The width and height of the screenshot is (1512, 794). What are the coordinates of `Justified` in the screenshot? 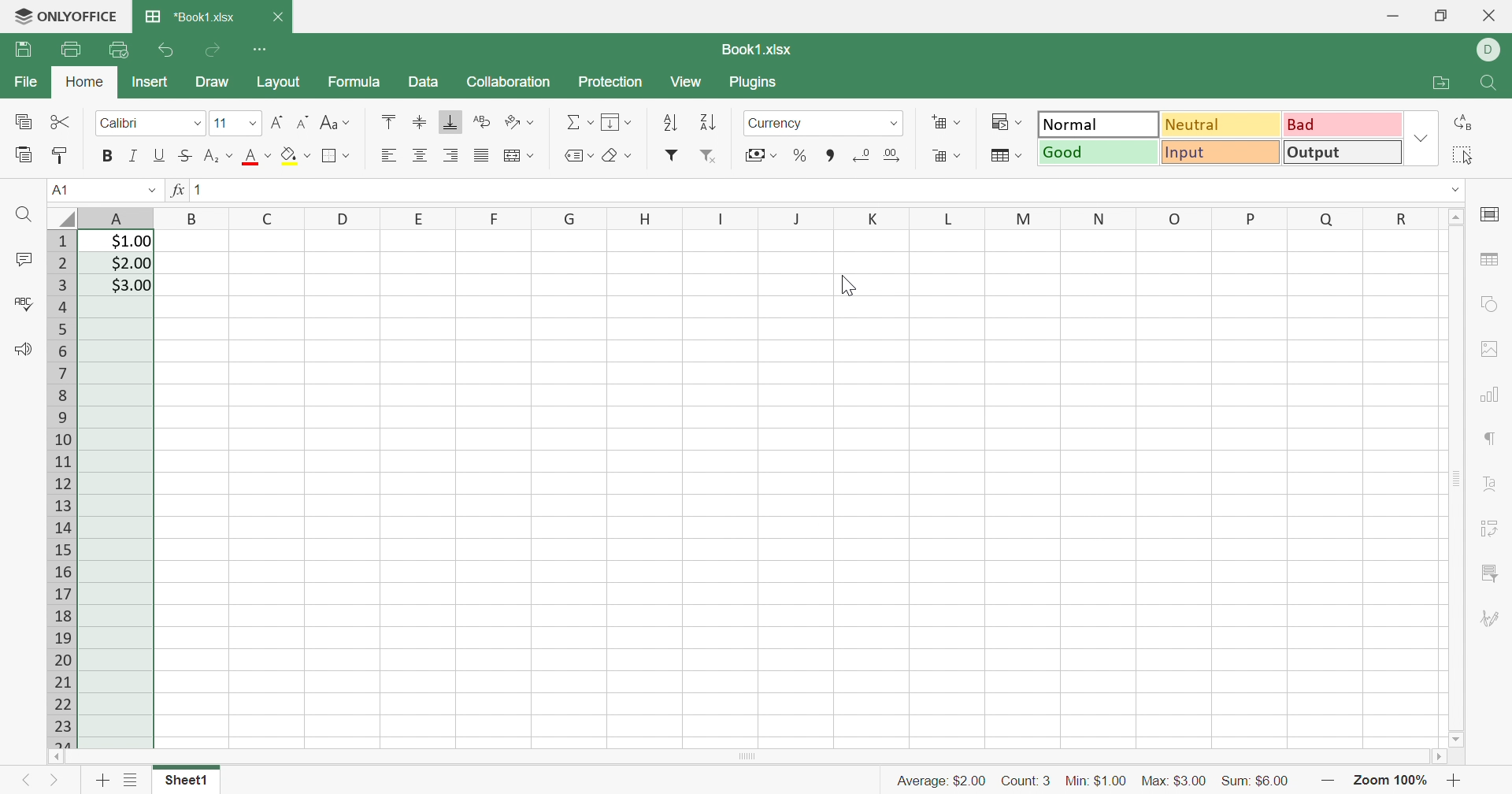 It's located at (480, 154).